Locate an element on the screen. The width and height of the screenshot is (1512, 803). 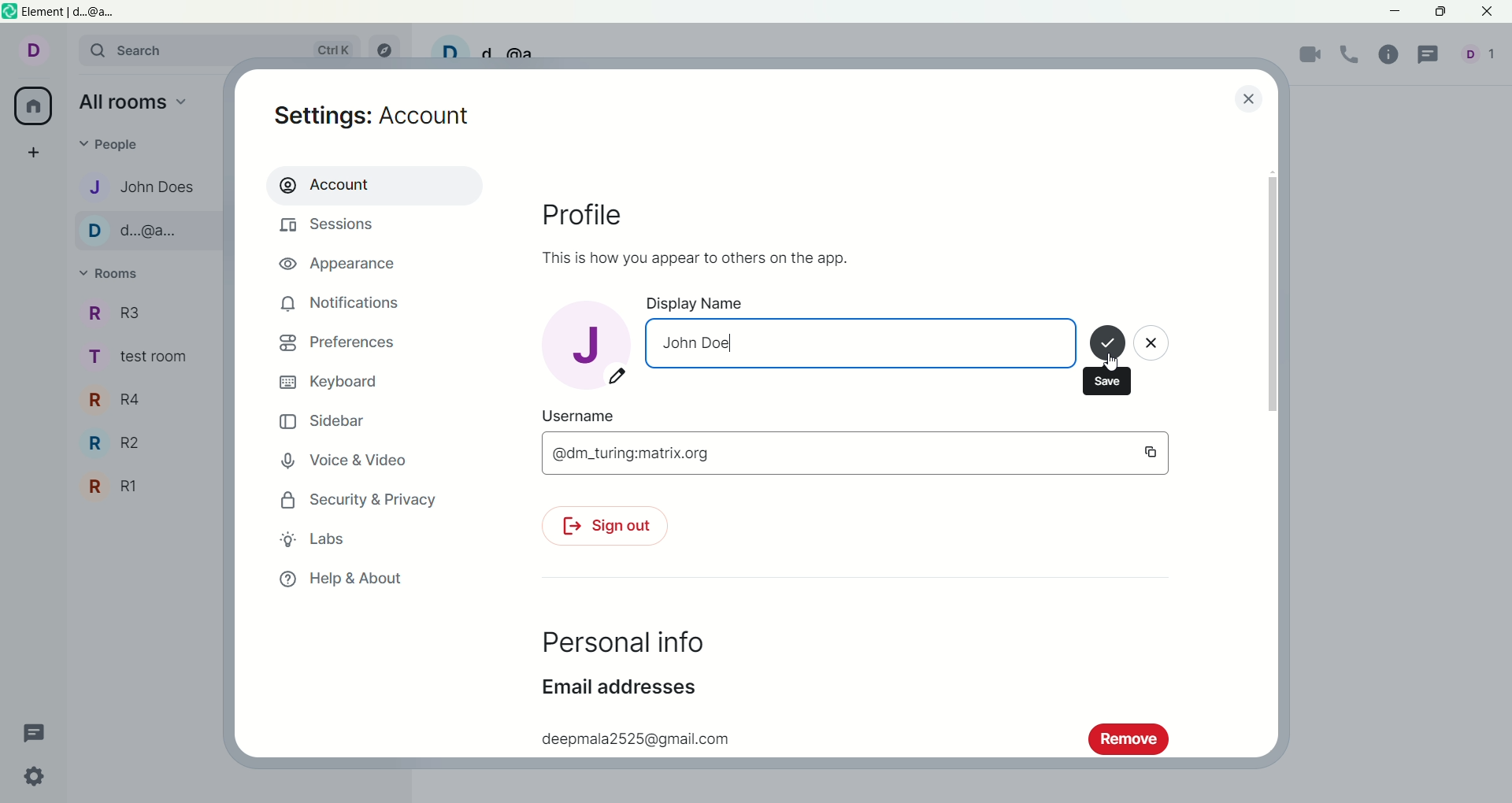
maximize is located at coordinates (1440, 12).